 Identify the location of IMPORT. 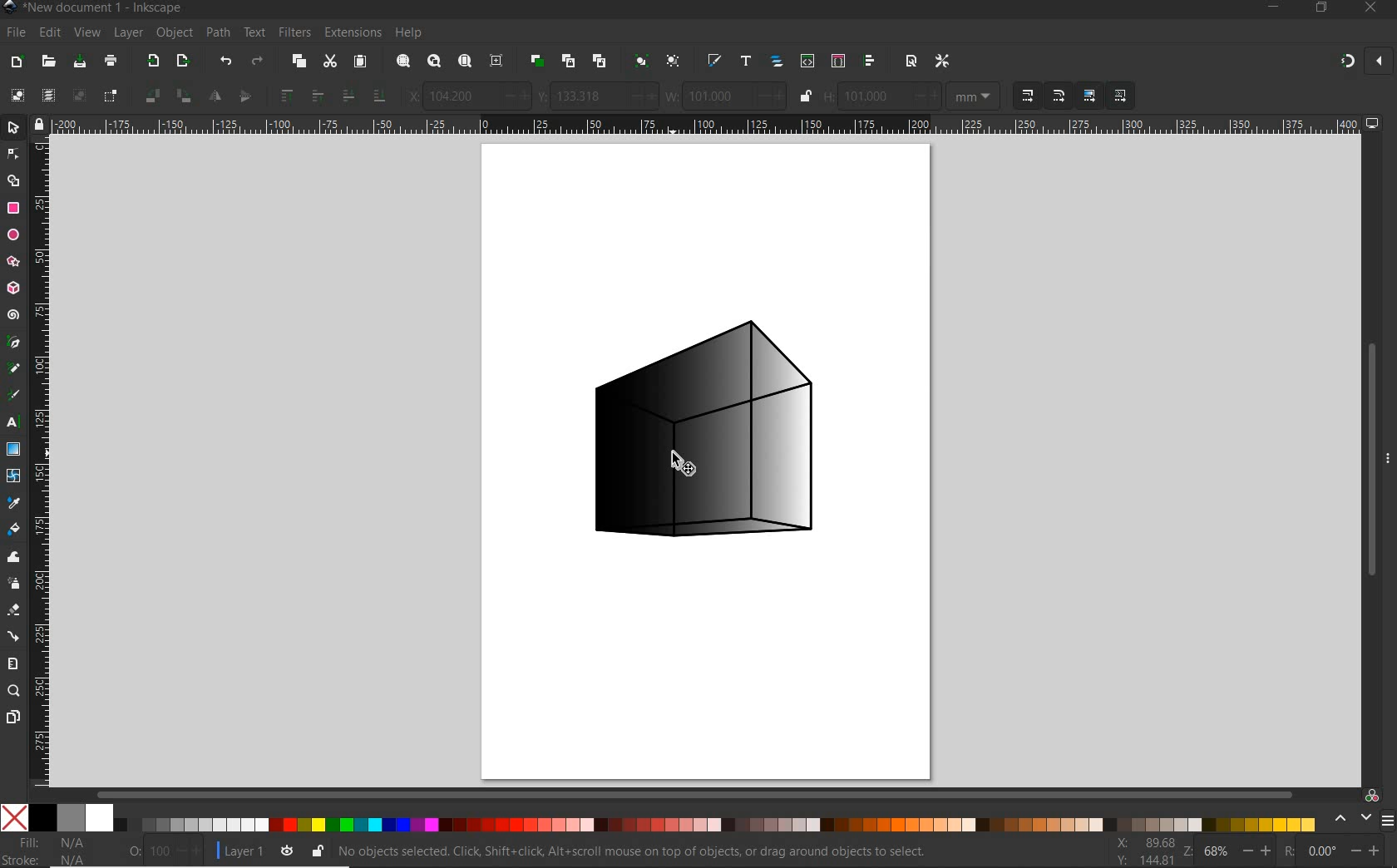
(152, 60).